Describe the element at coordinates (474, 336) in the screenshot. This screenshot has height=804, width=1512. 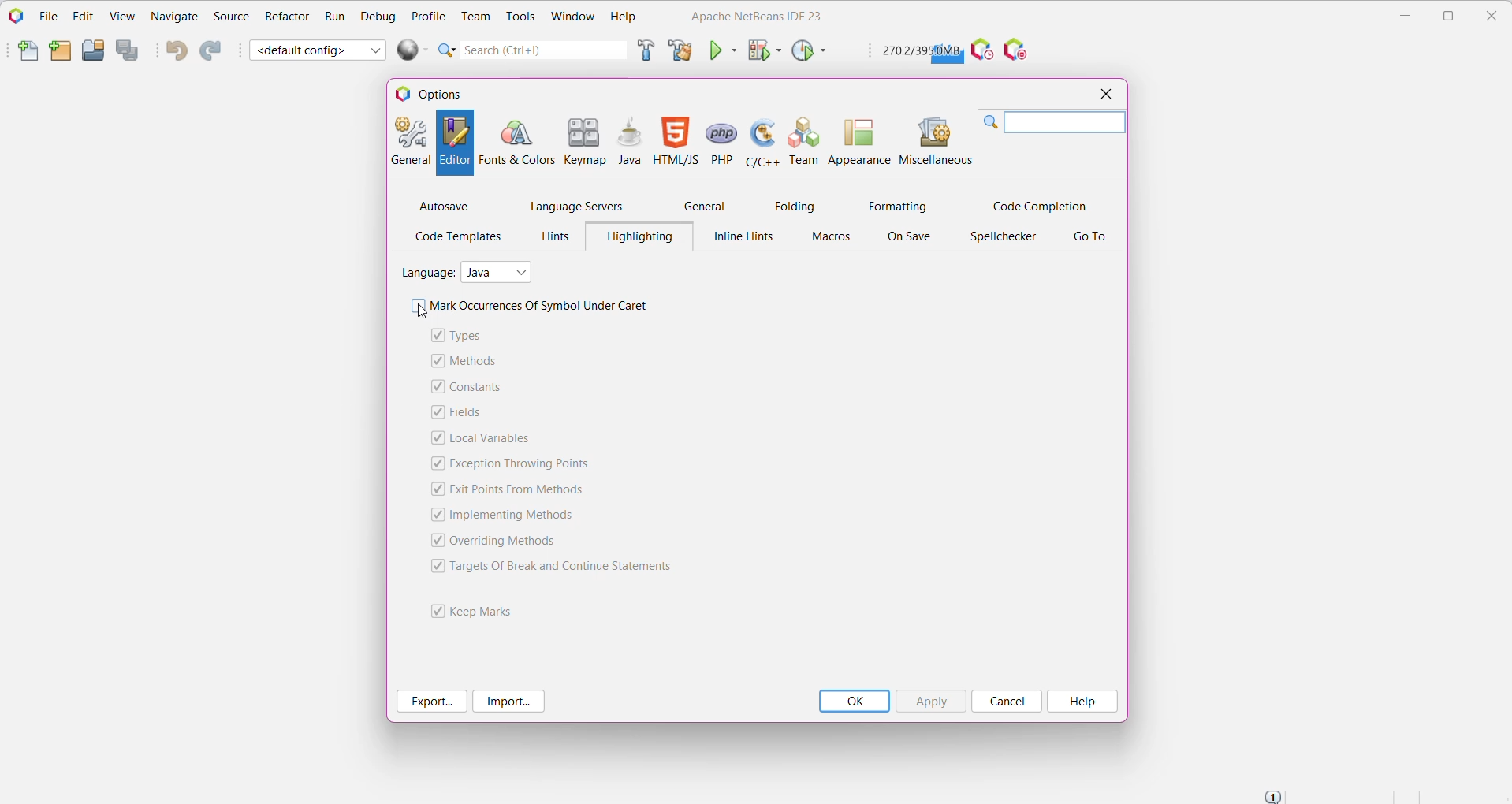
I see `Types - click to enable` at that location.